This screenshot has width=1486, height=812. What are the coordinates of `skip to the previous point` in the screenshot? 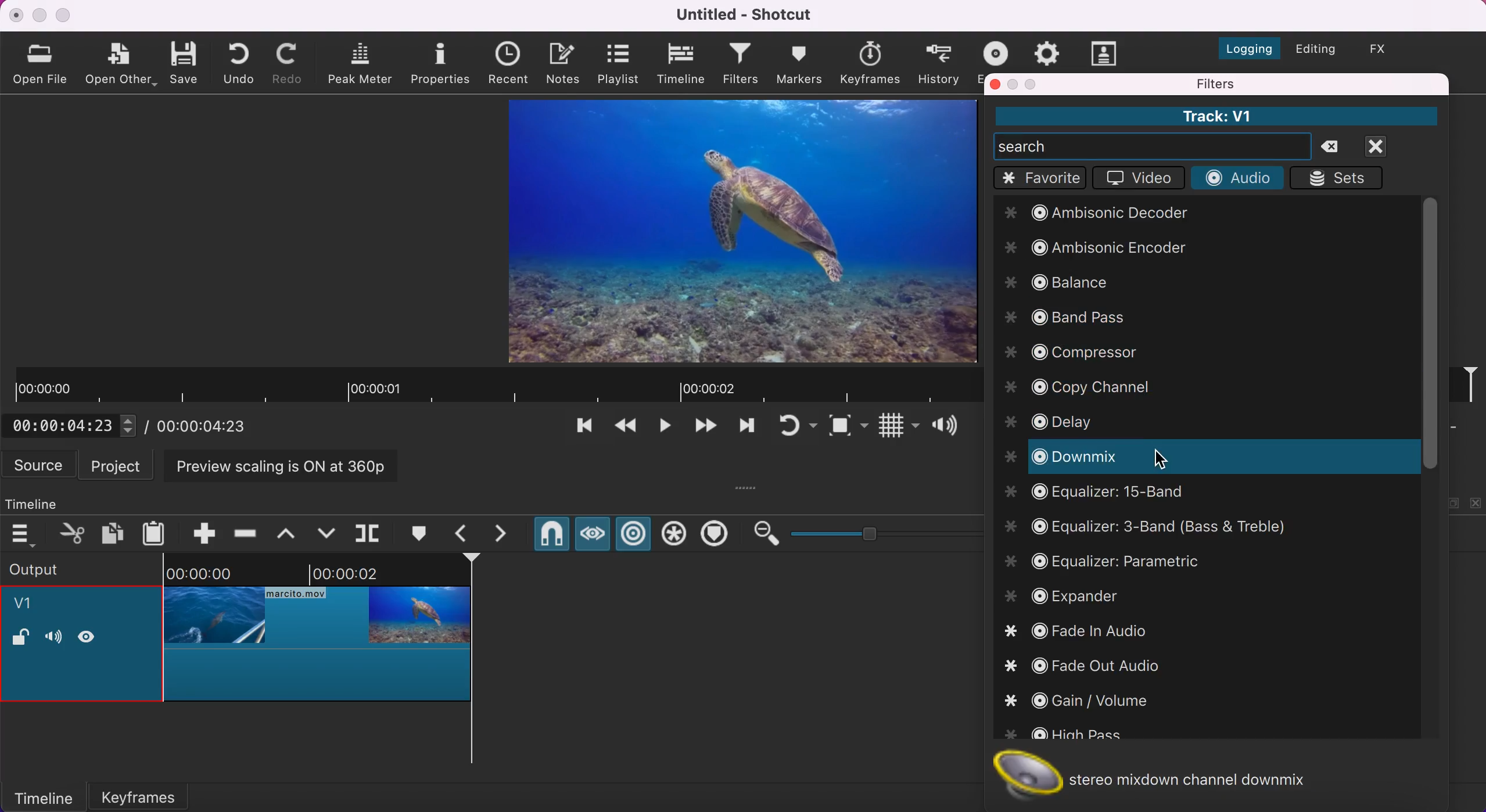 It's located at (580, 429).